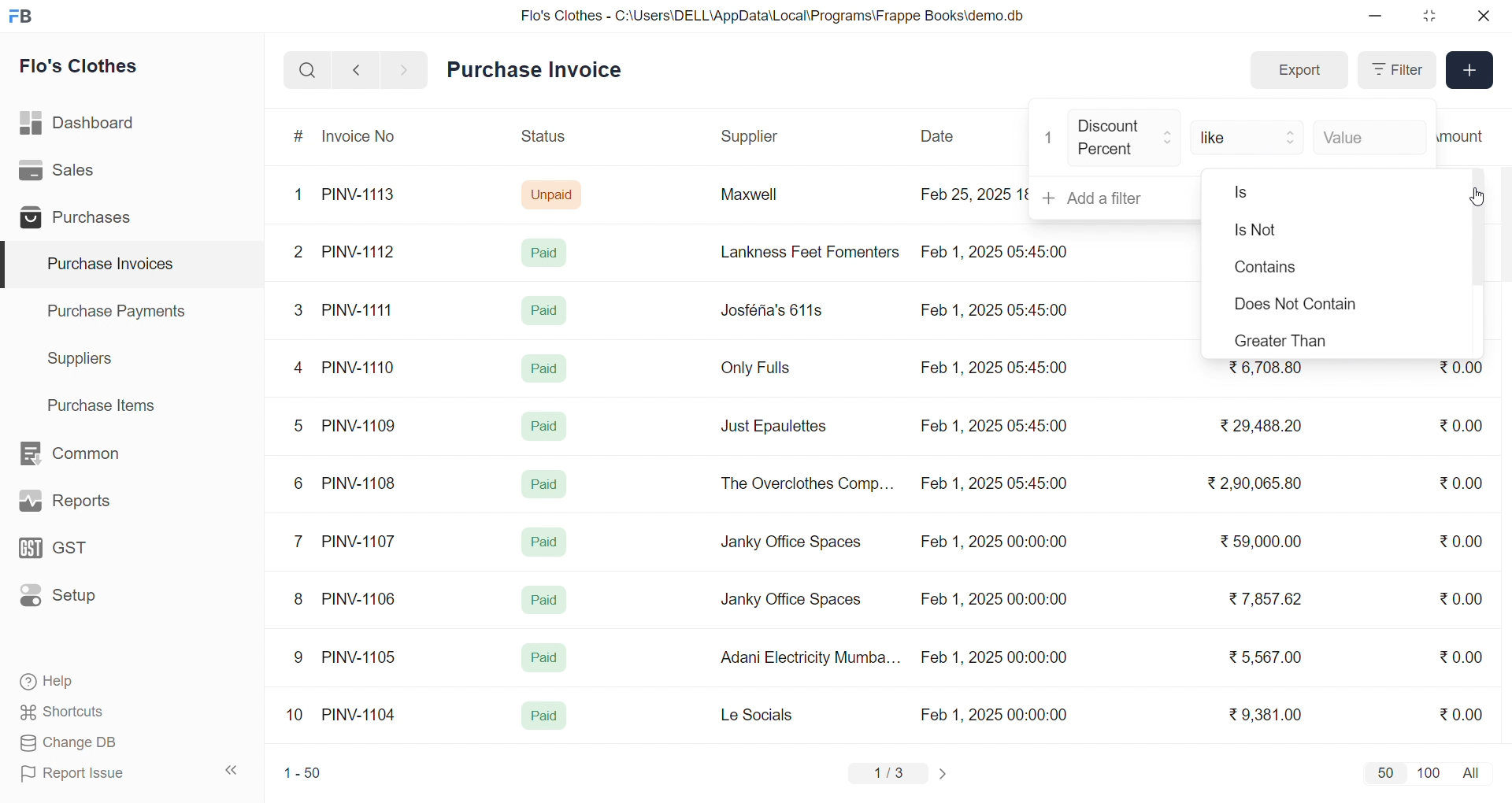  I want to click on Lankness Feet Fomenters, so click(800, 252).